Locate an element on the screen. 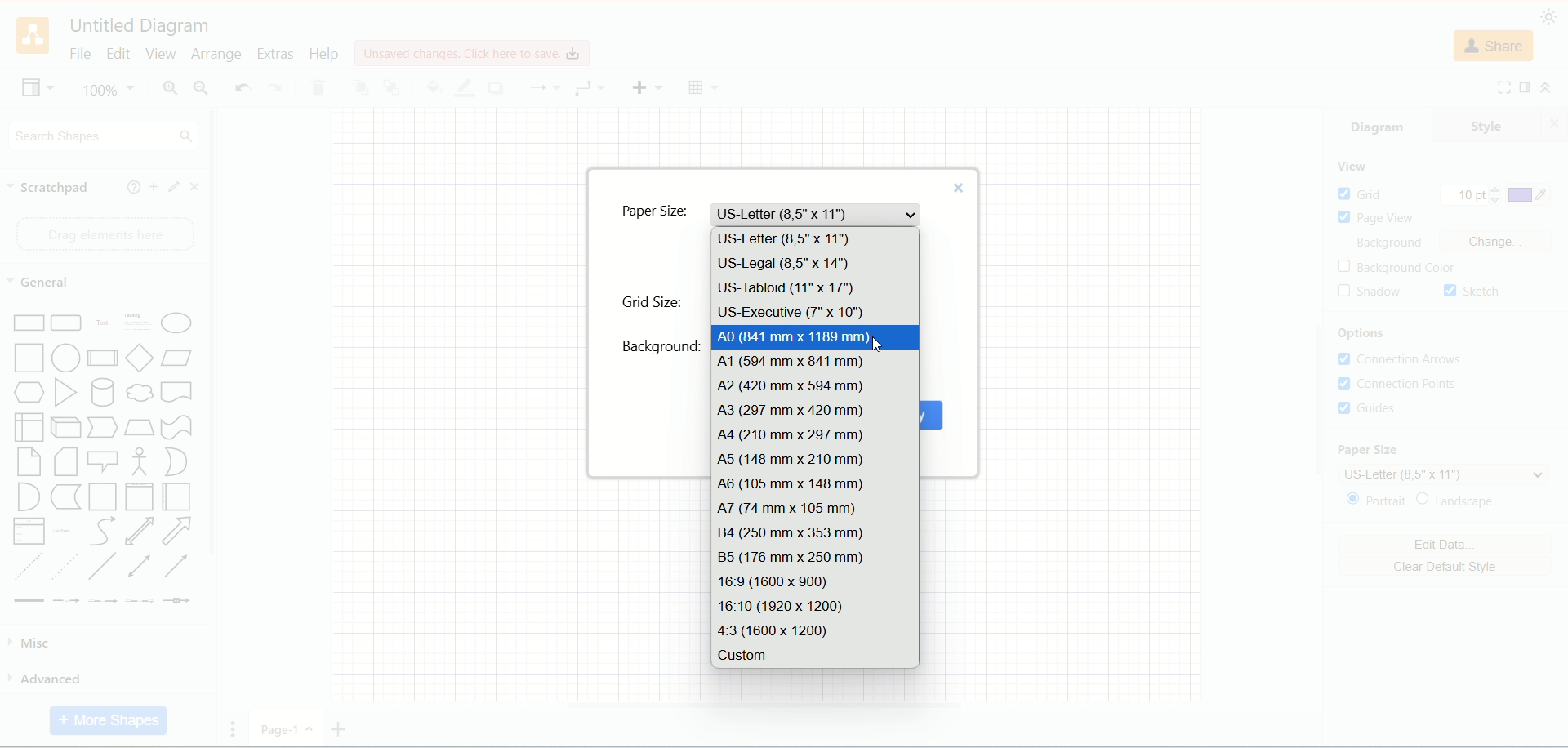 The image size is (1568, 748). A0 is located at coordinates (815, 337).